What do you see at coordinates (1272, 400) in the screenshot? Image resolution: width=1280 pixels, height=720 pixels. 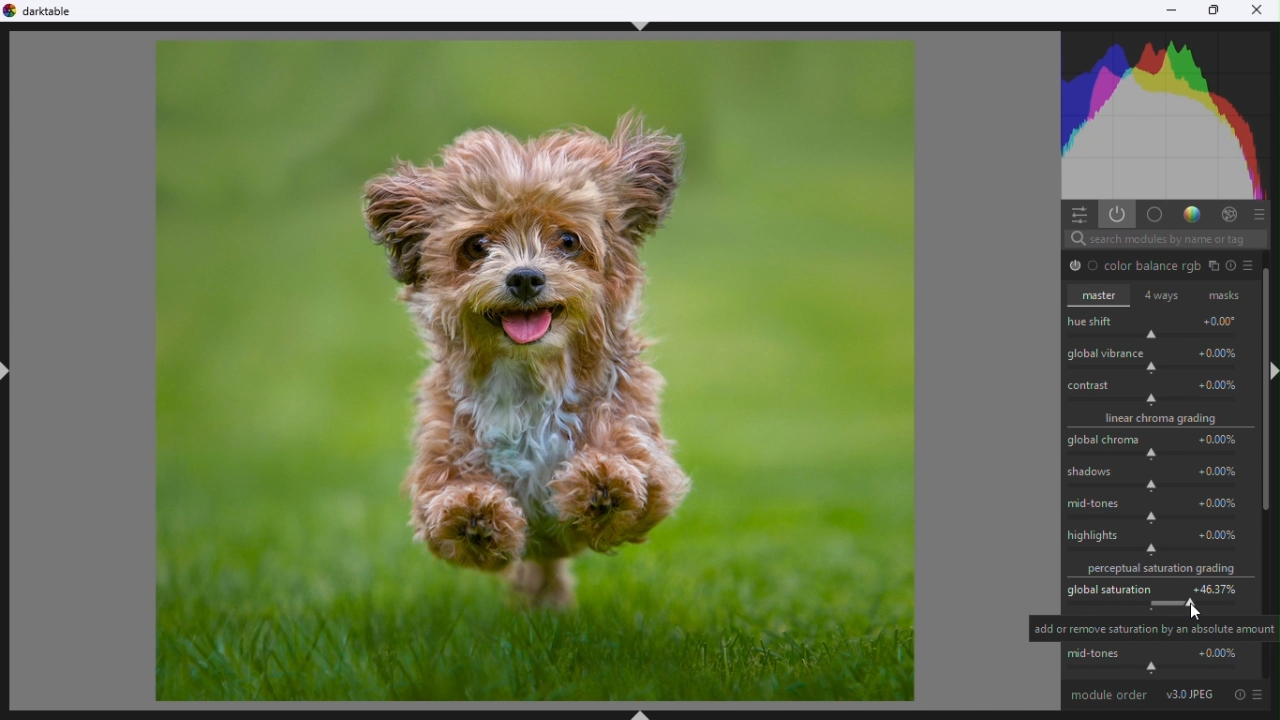 I see `Vertical scrollbar` at bounding box center [1272, 400].